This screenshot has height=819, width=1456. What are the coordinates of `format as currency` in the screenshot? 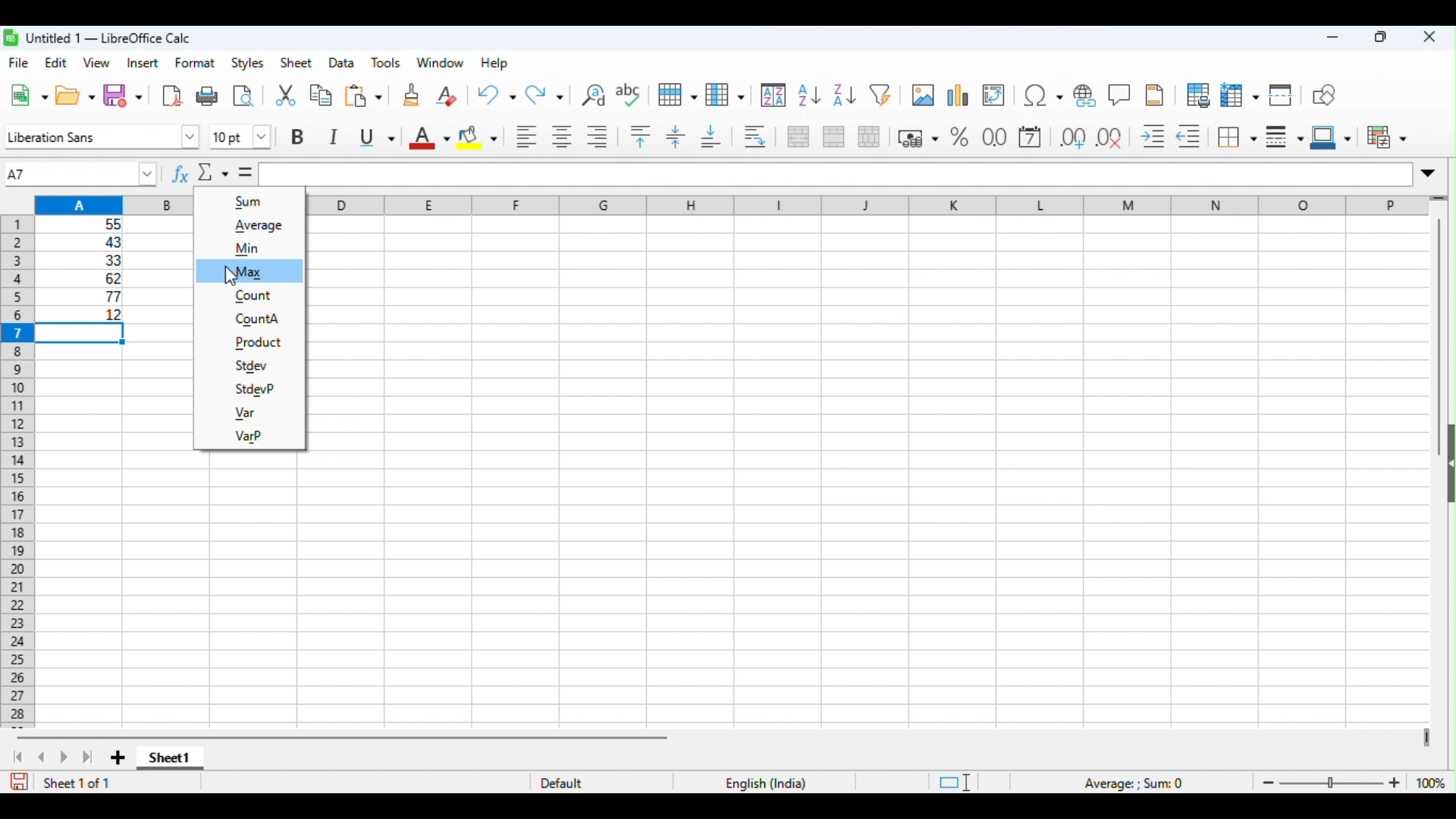 It's located at (918, 138).